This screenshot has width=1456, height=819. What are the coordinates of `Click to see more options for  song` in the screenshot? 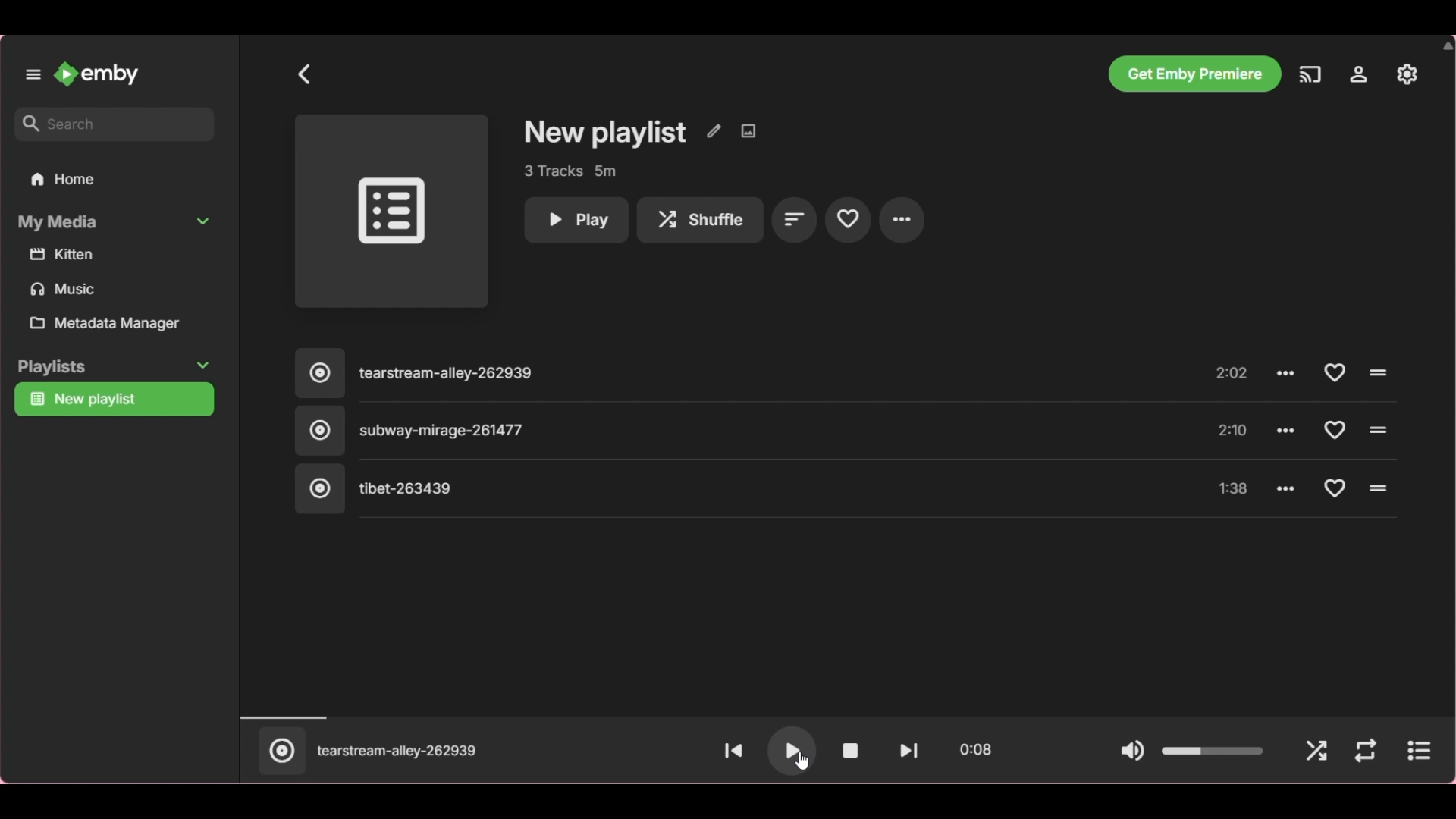 It's located at (1288, 373).